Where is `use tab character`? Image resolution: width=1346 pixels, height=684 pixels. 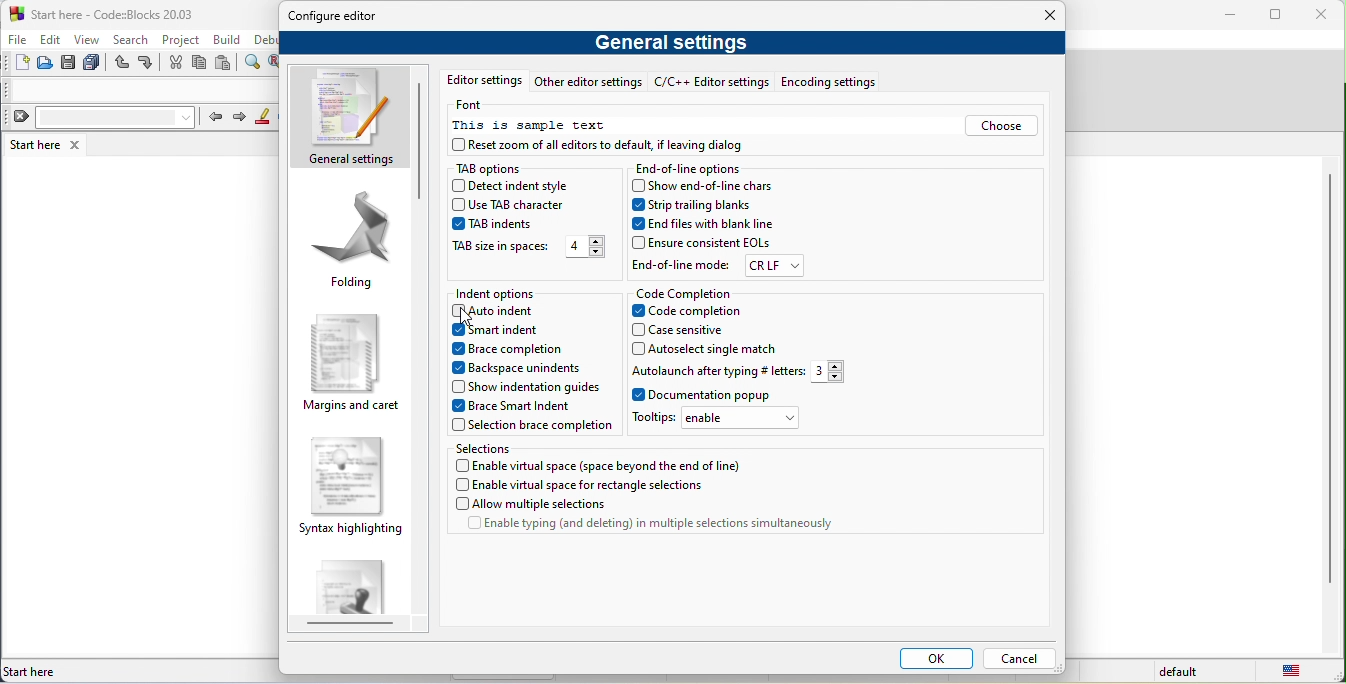
use tab character is located at coordinates (520, 205).